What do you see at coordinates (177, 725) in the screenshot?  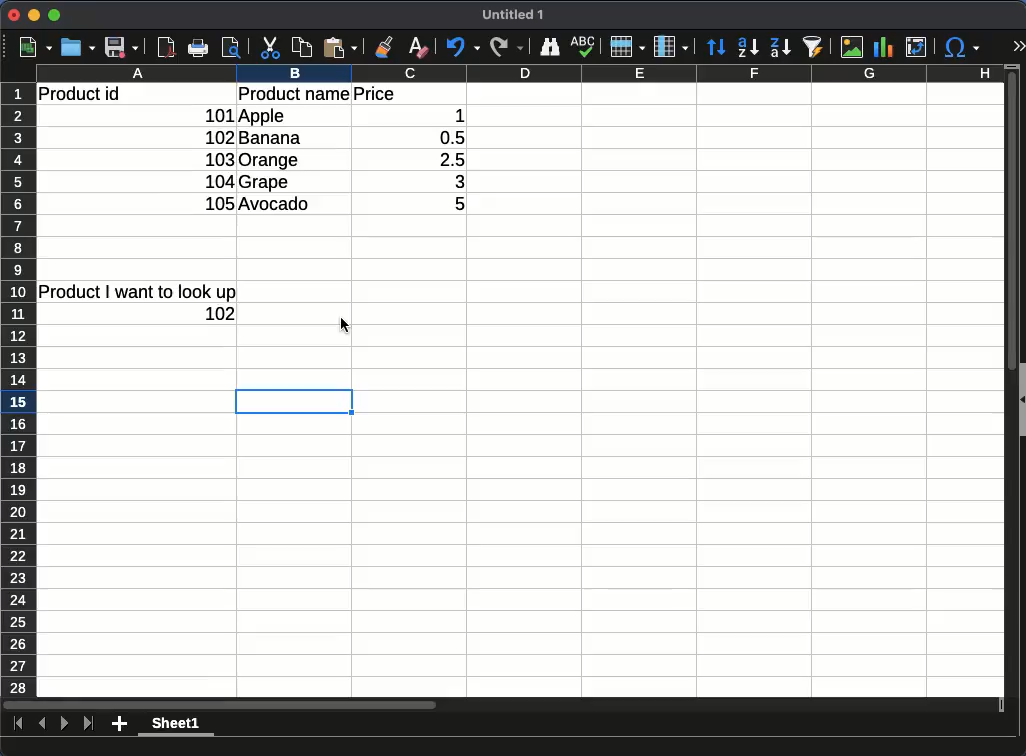 I see `sheet1` at bounding box center [177, 725].